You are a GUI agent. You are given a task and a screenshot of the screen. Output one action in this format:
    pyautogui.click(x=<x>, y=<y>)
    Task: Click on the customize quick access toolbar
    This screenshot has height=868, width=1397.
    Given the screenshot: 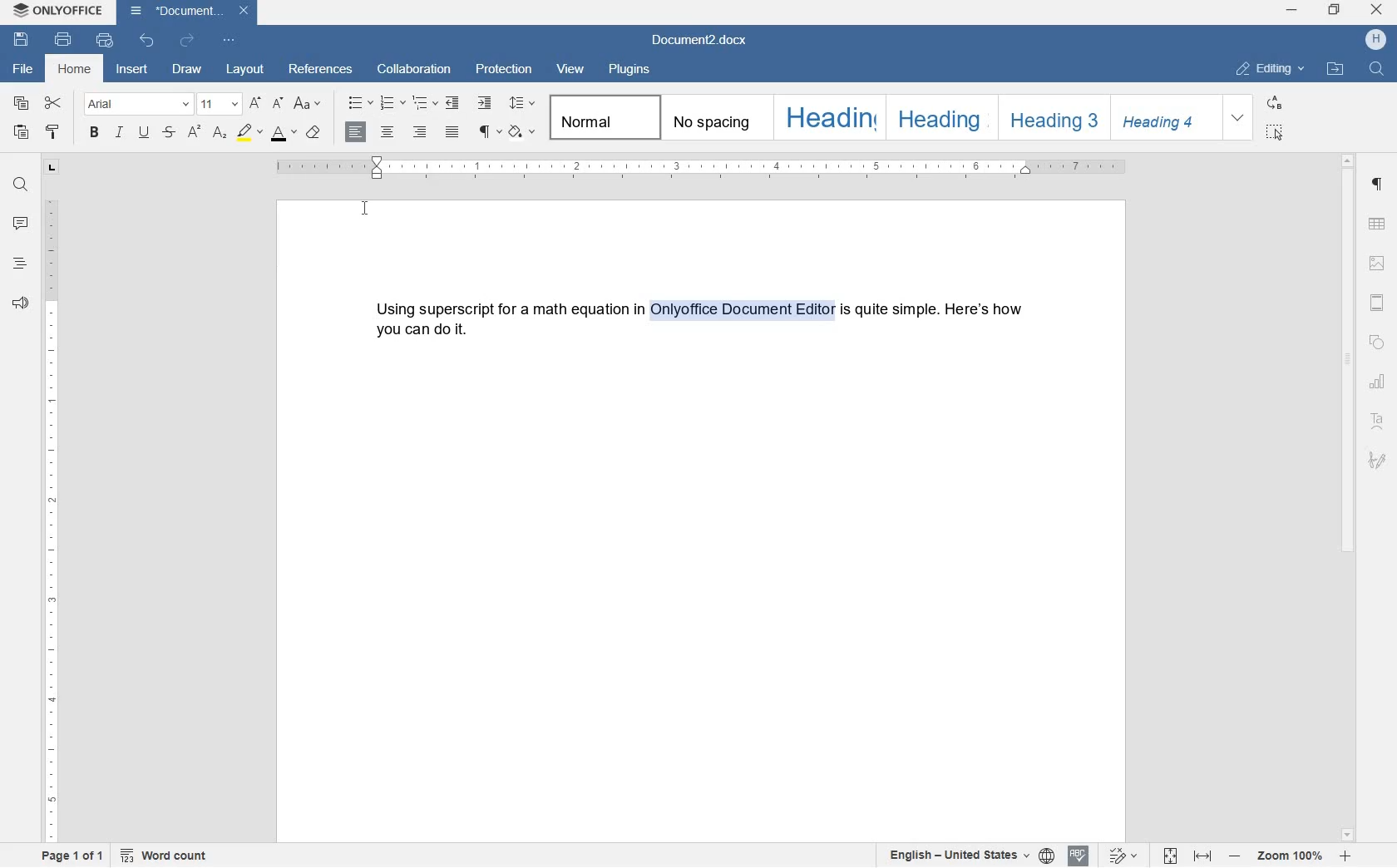 What is the action you would take?
    pyautogui.click(x=227, y=40)
    